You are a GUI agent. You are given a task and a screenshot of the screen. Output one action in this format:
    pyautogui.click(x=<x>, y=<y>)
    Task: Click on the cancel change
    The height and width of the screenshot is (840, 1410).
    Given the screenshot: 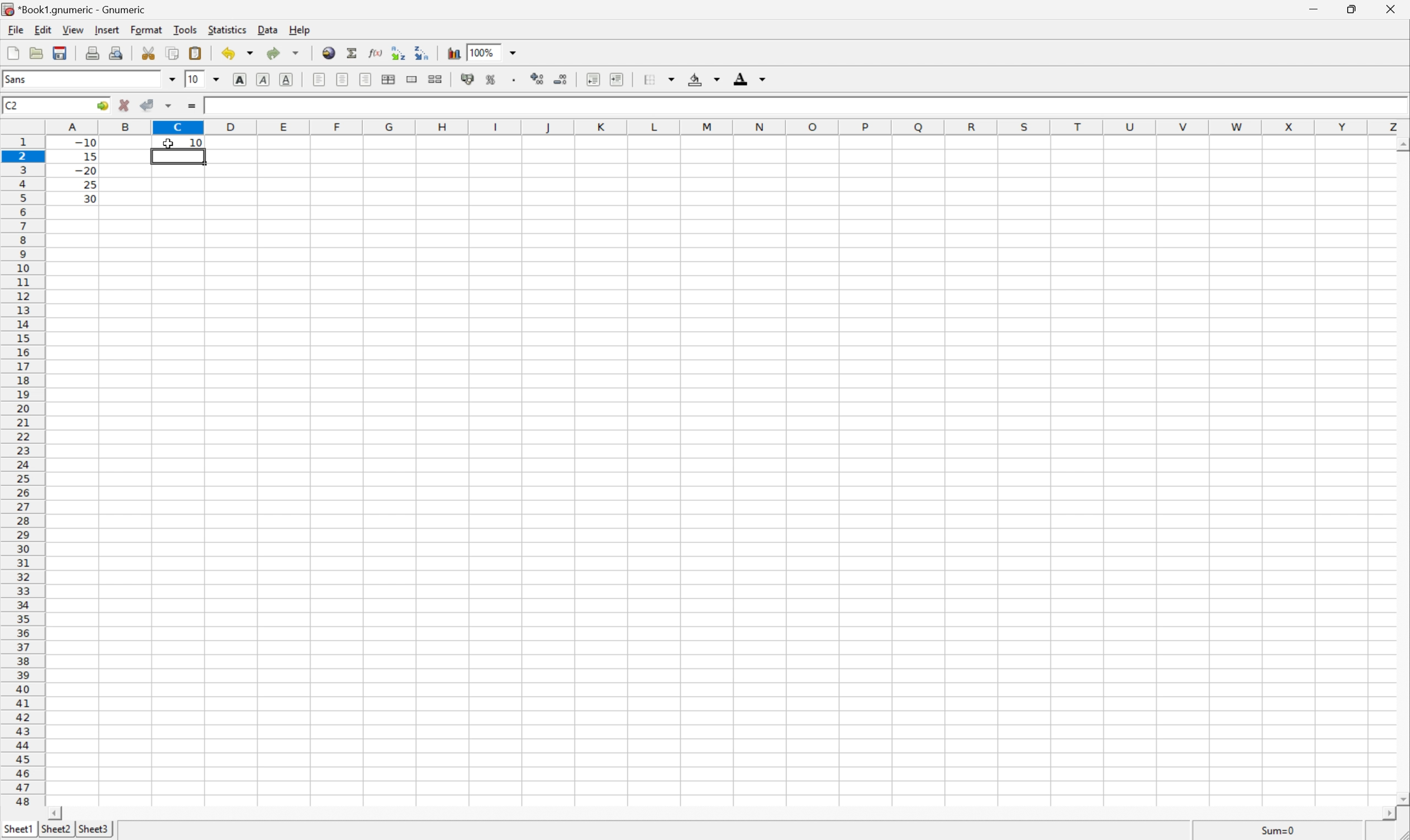 What is the action you would take?
    pyautogui.click(x=125, y=108)
    